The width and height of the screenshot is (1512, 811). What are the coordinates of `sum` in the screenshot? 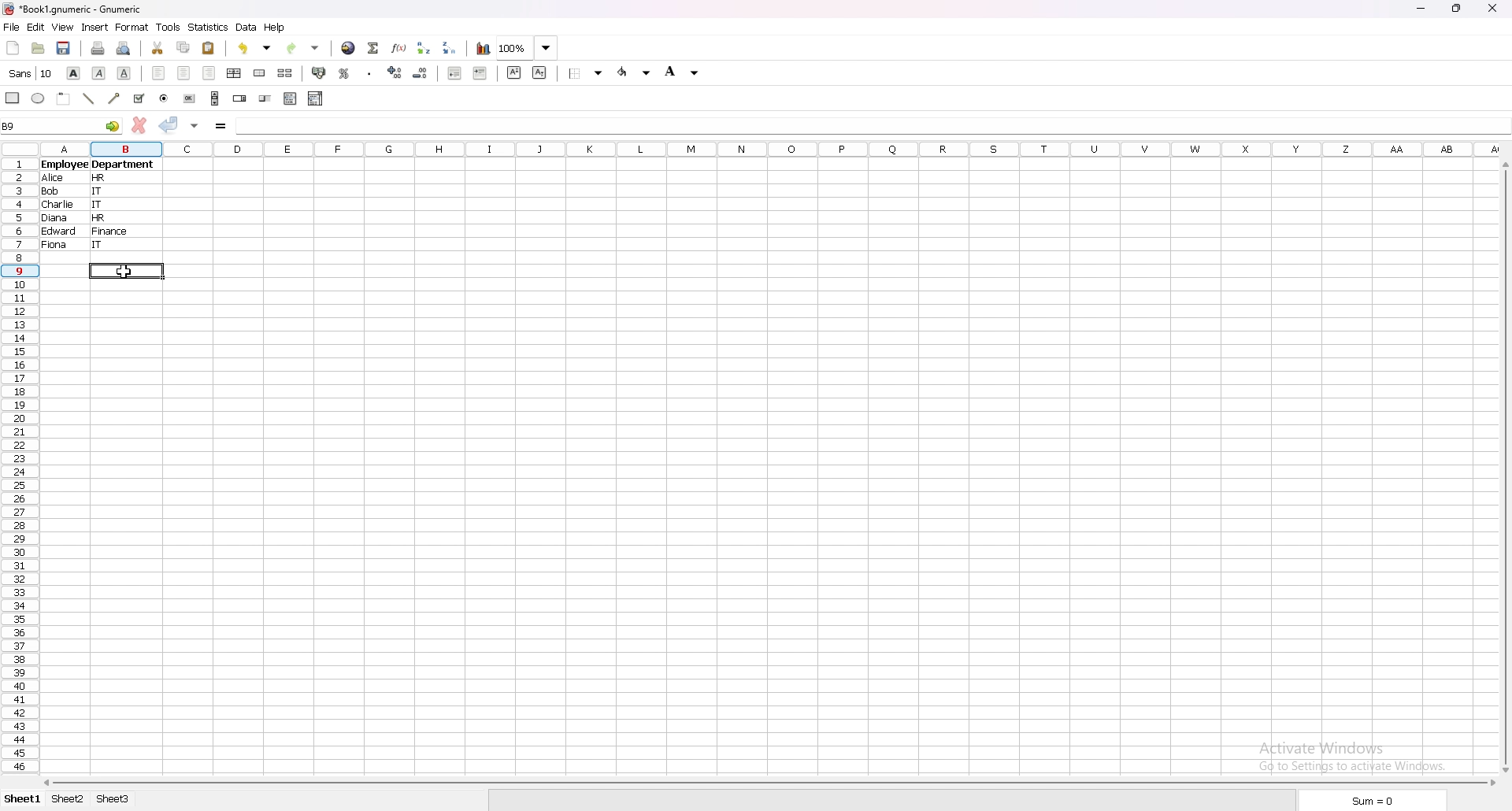 It's located at (1369, 802).